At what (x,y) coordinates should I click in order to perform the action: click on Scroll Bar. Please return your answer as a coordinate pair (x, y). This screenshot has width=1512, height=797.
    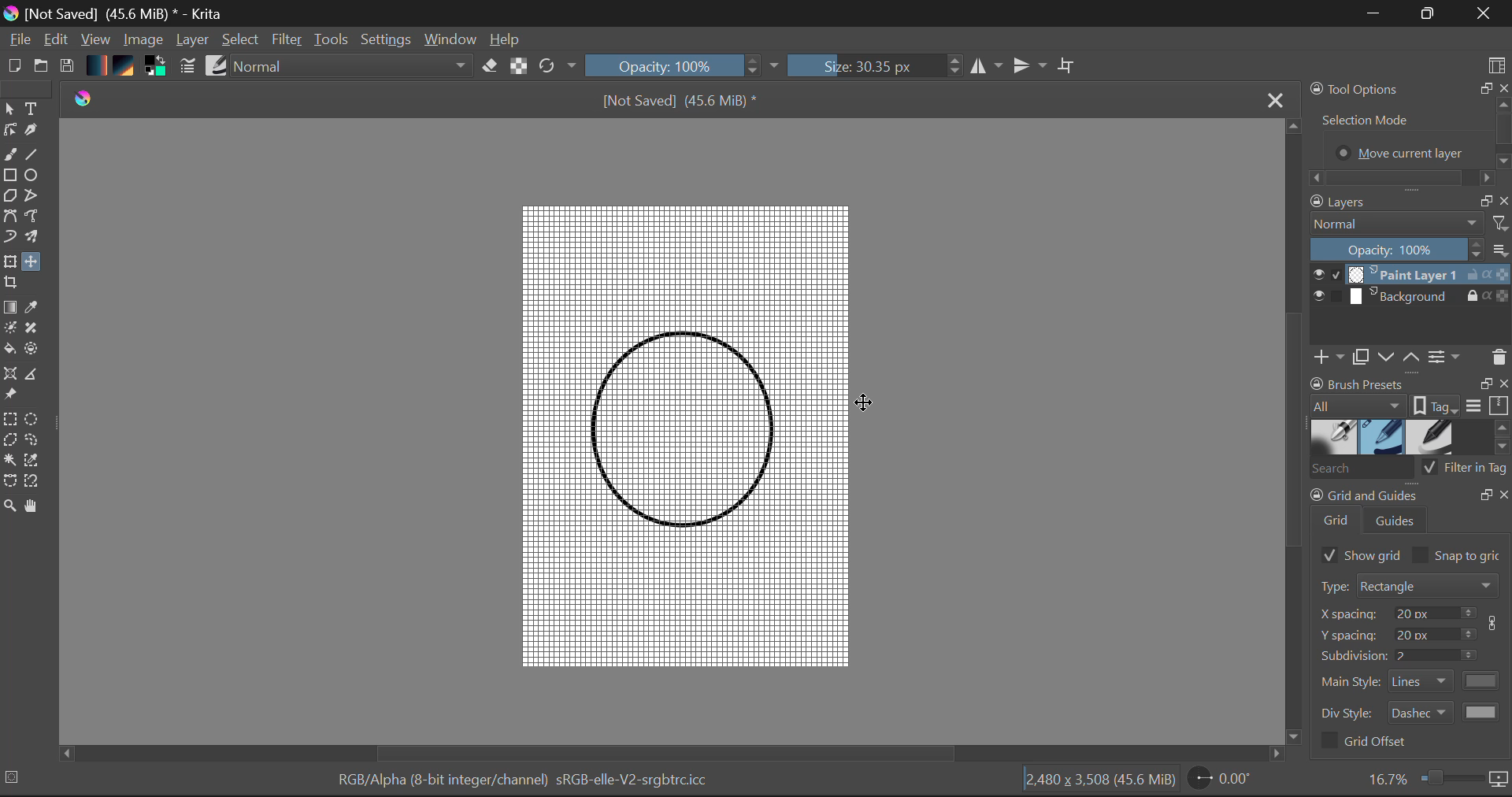
    Looking at the image, I should click on (674, 752).